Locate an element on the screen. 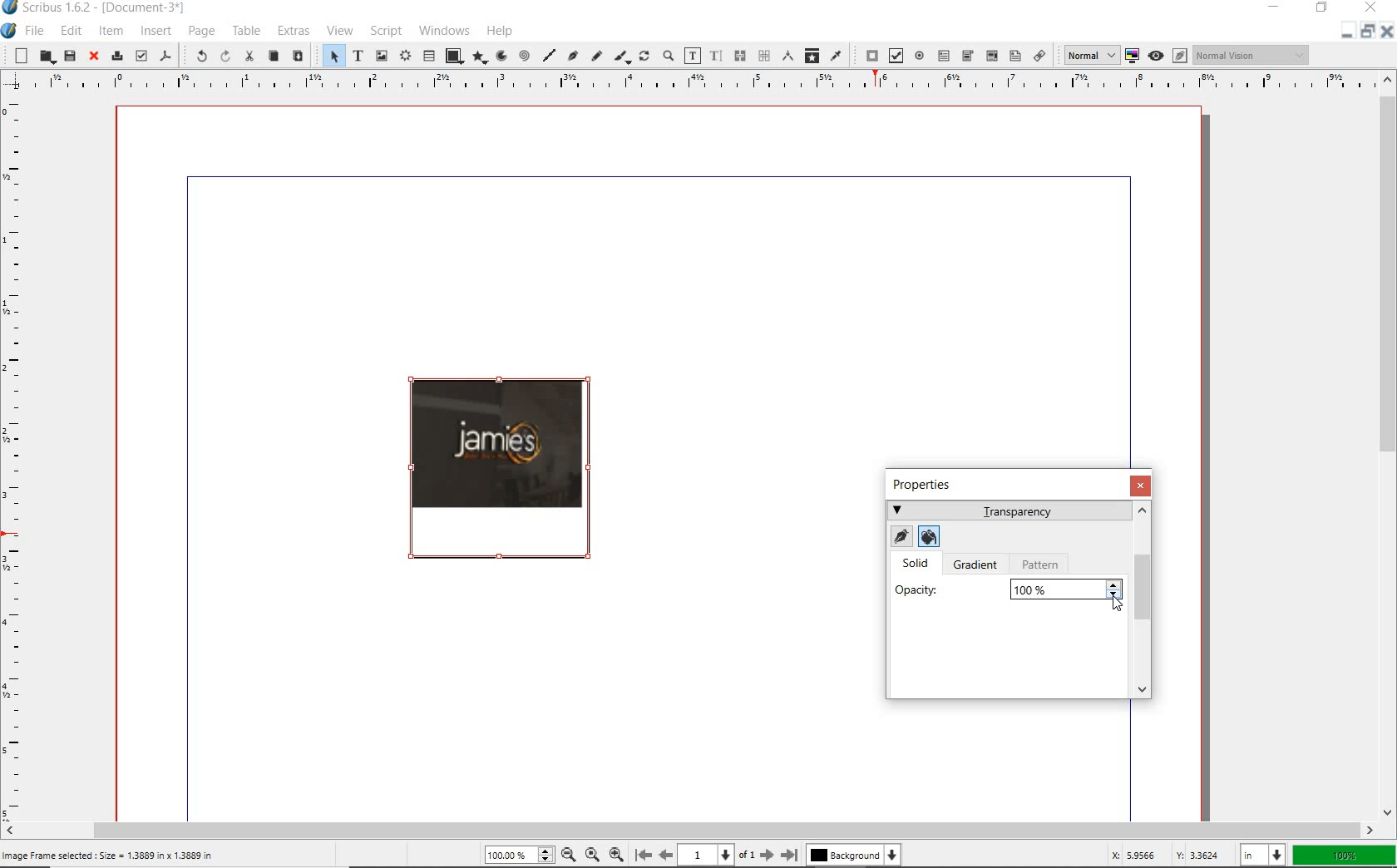  save is located at coordinates (69, 55).